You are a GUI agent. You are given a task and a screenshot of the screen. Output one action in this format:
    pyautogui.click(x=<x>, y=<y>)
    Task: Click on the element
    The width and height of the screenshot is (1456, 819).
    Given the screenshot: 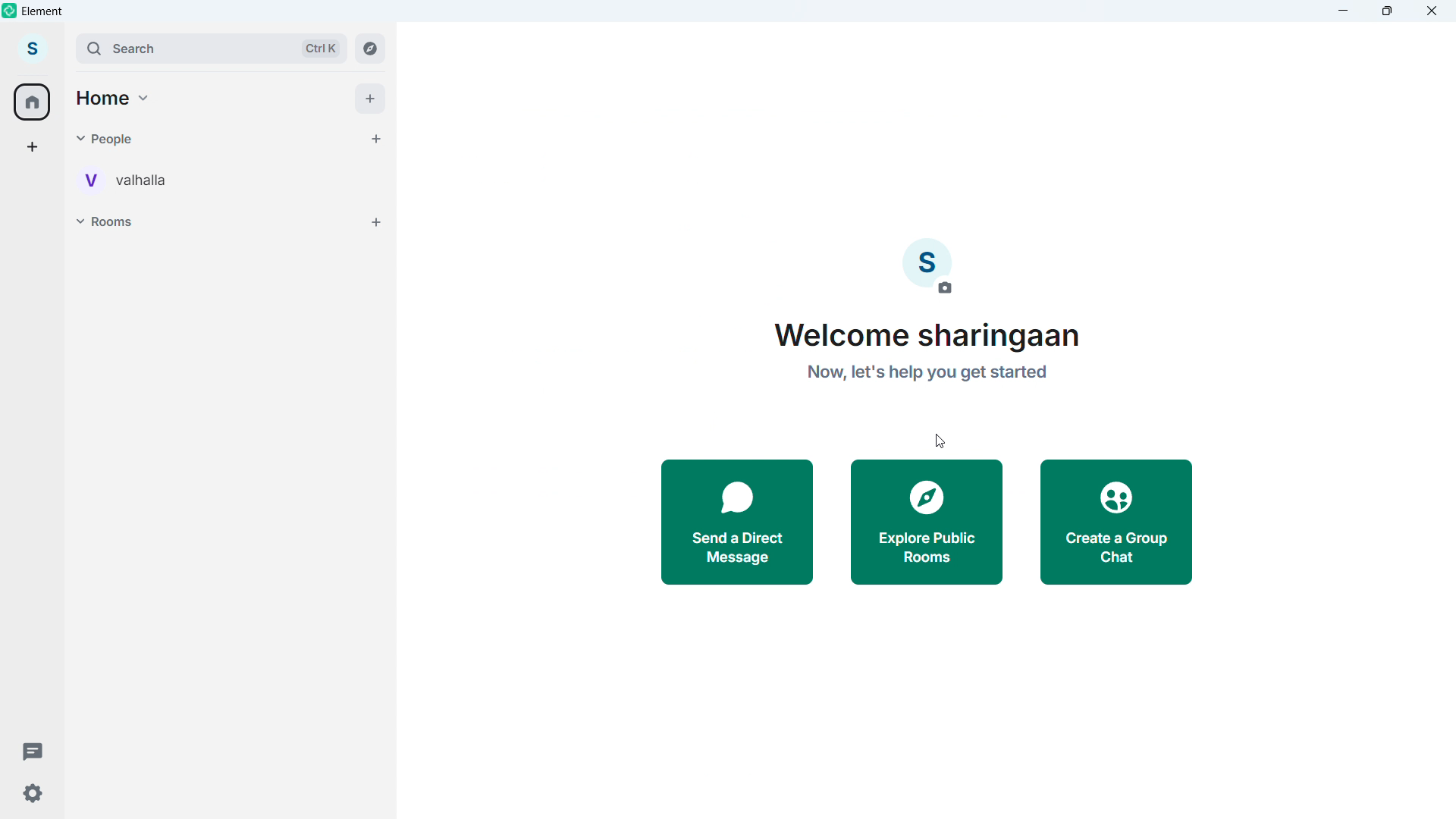 What is the action you would take?
    pyautogui.click(x=43, y=13)
    